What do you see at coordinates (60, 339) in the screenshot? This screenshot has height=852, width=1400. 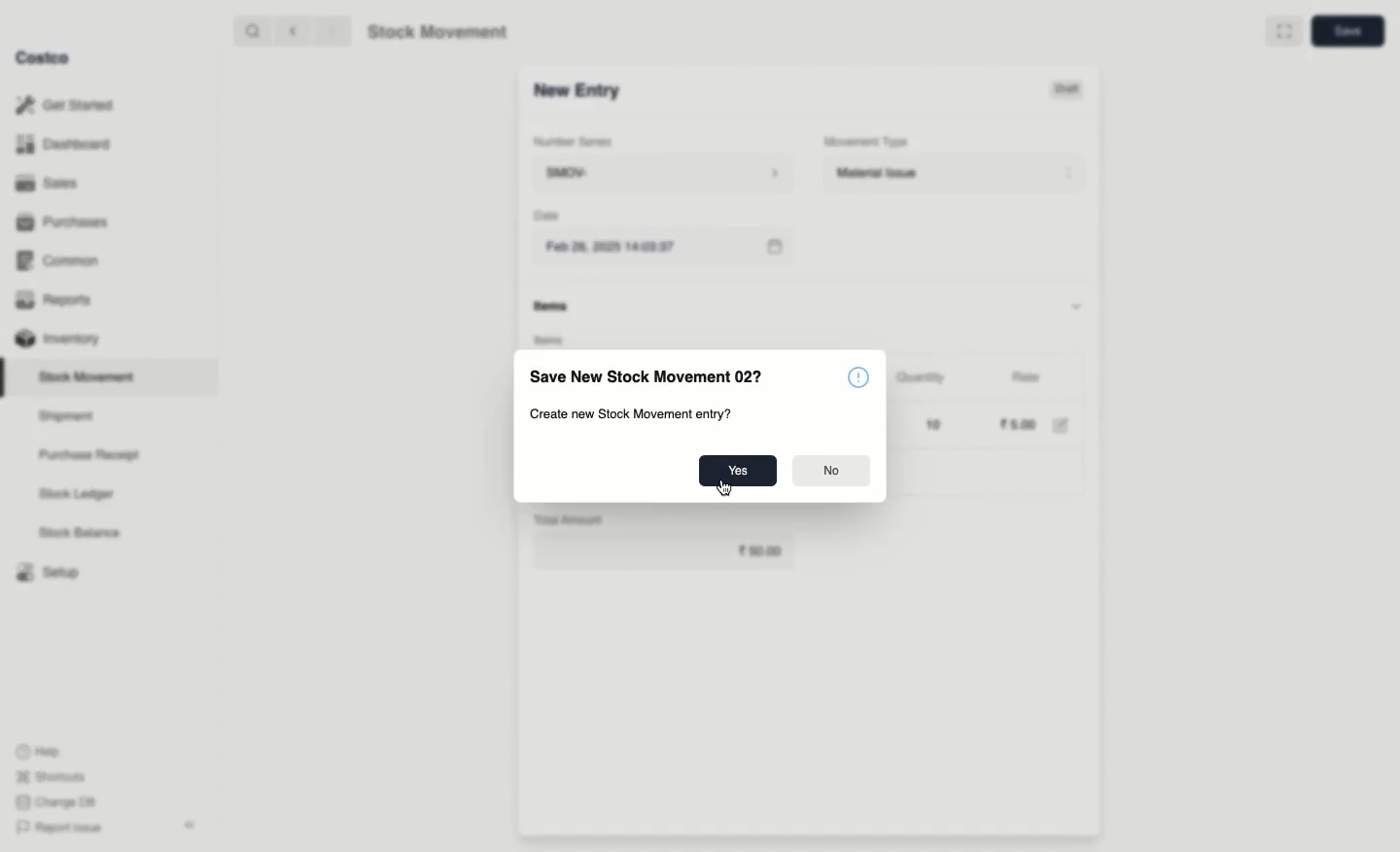 I see `Inventory` at bounding box center [60, 339].